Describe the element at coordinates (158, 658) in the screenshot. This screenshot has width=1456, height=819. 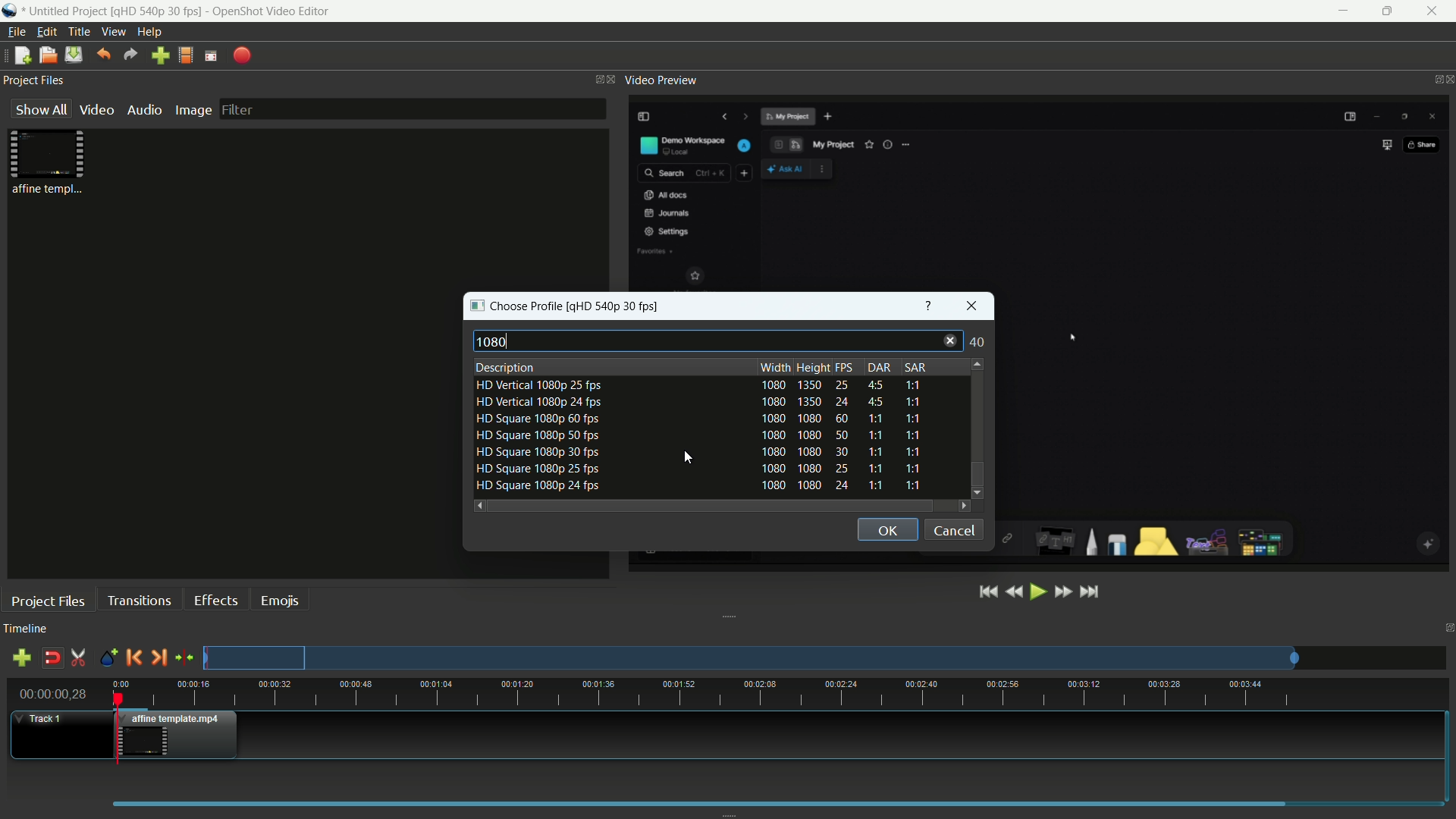
I see `next marker` at that location.